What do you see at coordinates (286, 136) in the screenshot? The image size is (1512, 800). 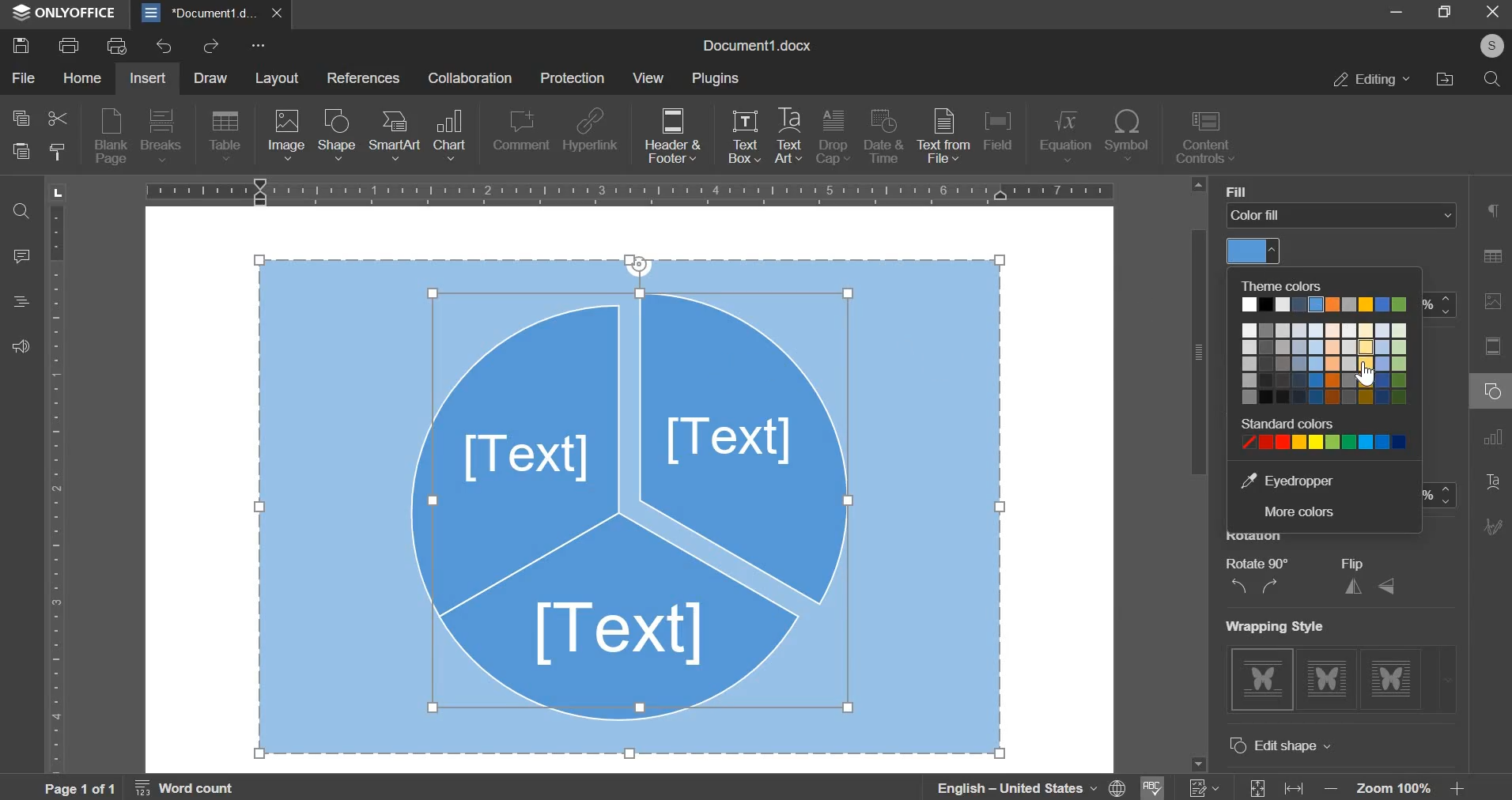 I see `image` at bounding box center [286, 136].